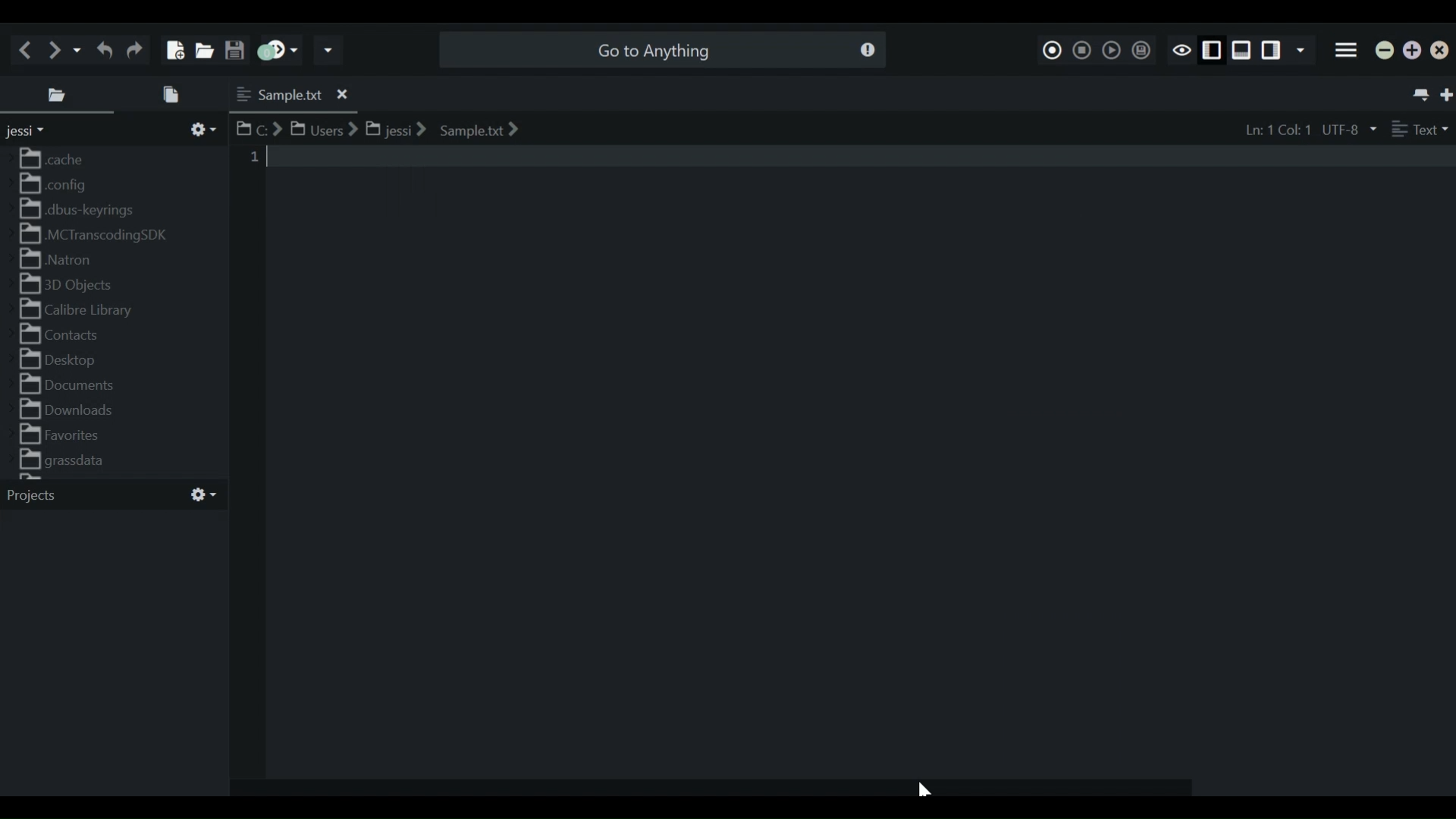  What do you see at coordinates (1301, 50) in the screenshot?
I see `Show specific Sidebar` at bounding box center [1301, 50].